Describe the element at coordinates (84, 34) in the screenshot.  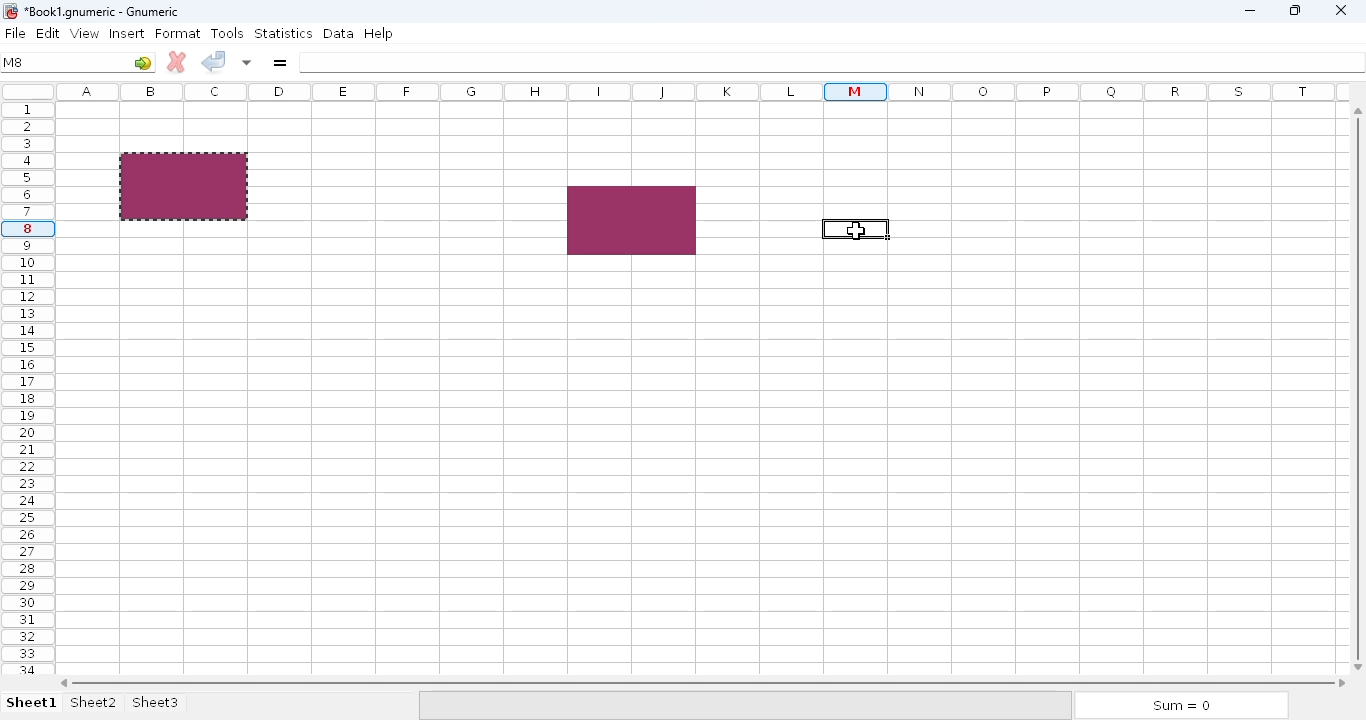
I see `view` at that location.